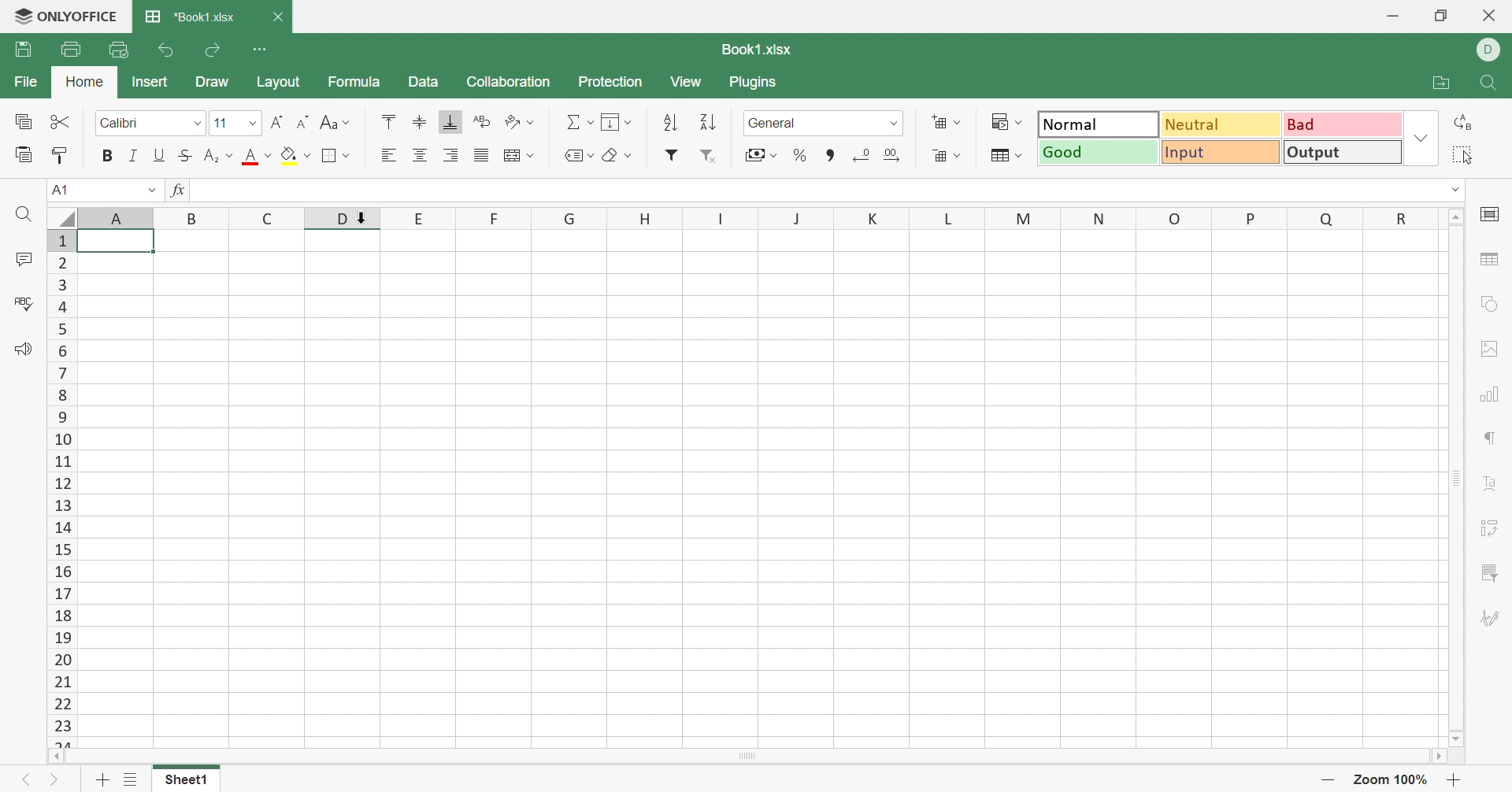 Image resolution: width=1512 pixels, height=792 pixels. What do you see at coordinates (1492, 349) in the screenshot?
I see `Image settings` at bounding box center [1492, 349].